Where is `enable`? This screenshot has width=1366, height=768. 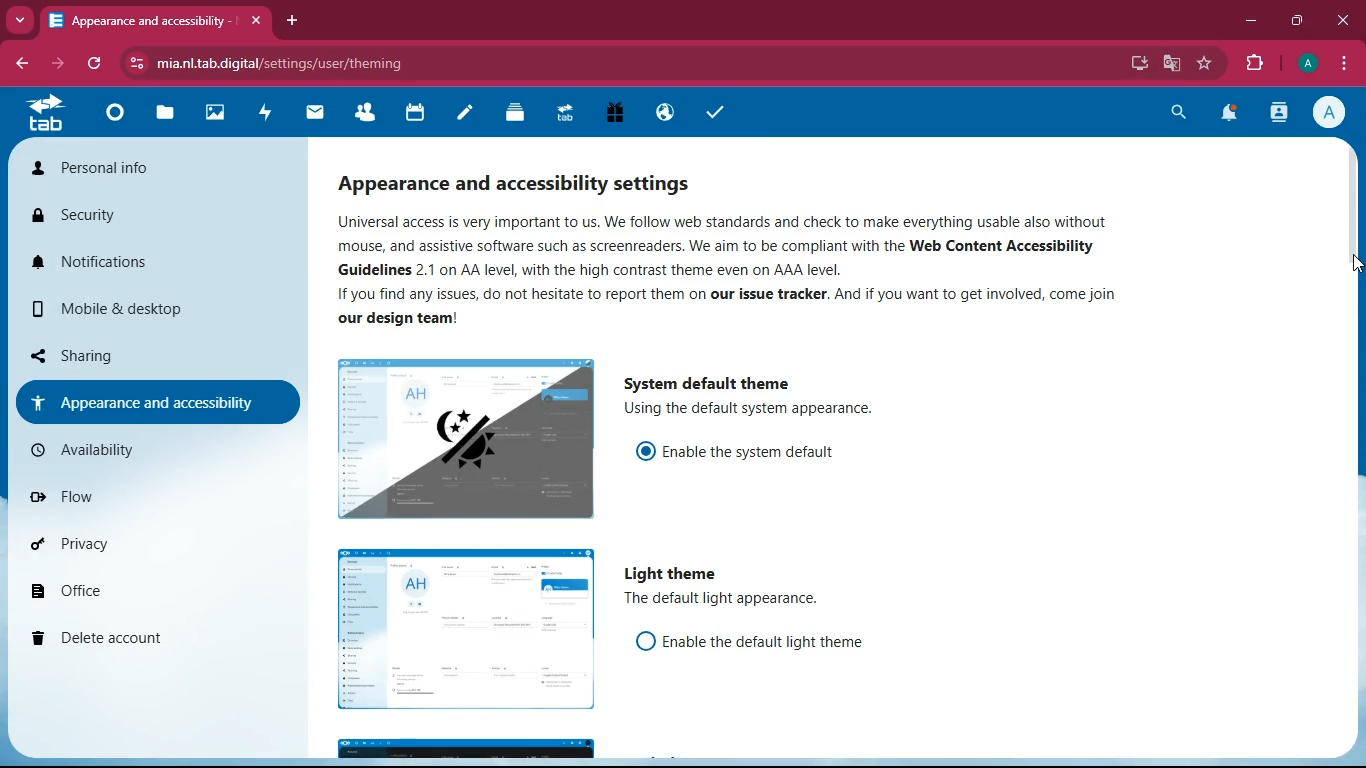
enable is located at coordinates (756, 454).